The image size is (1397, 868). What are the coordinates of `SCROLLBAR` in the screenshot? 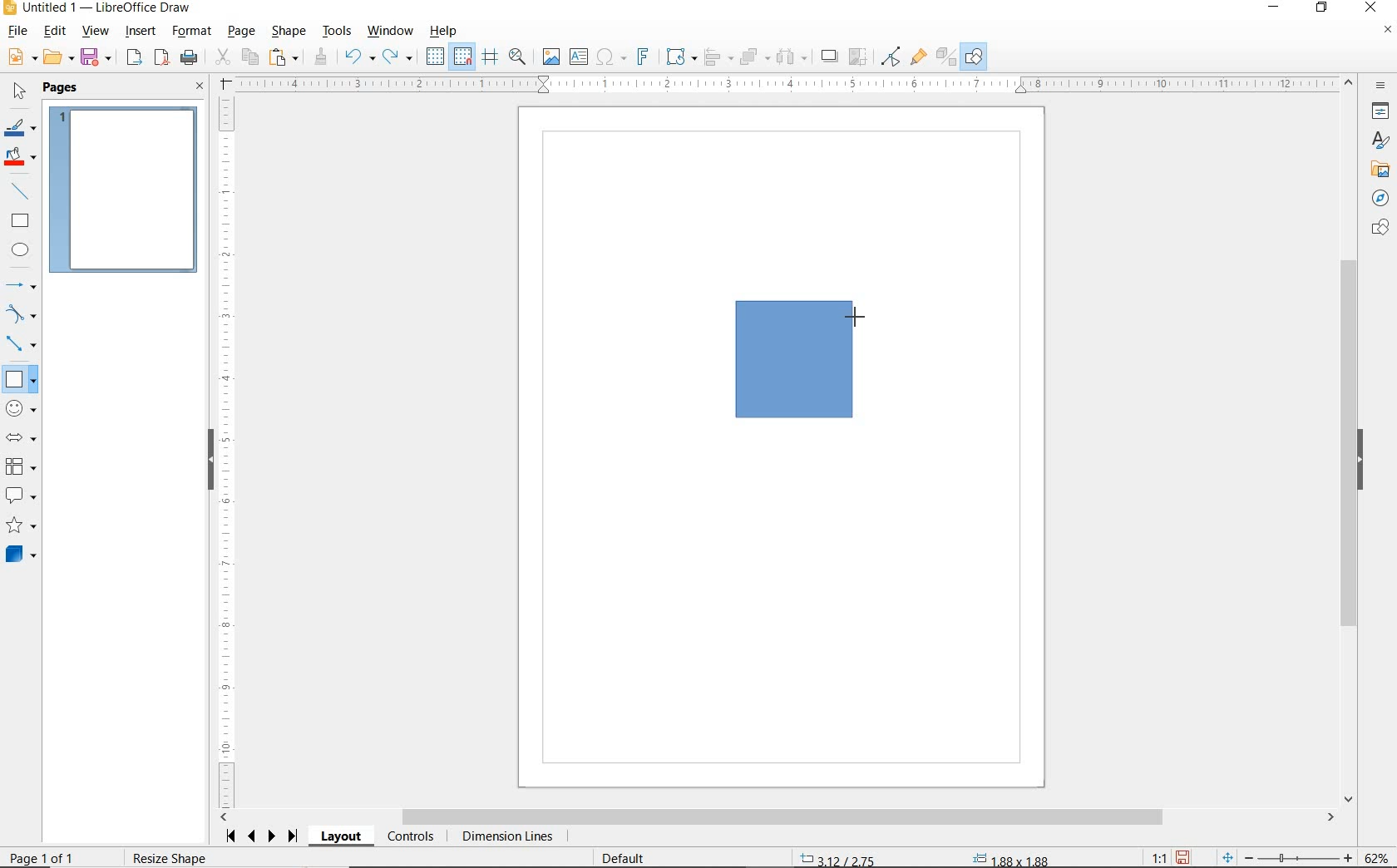 It's located at (1351, 440).